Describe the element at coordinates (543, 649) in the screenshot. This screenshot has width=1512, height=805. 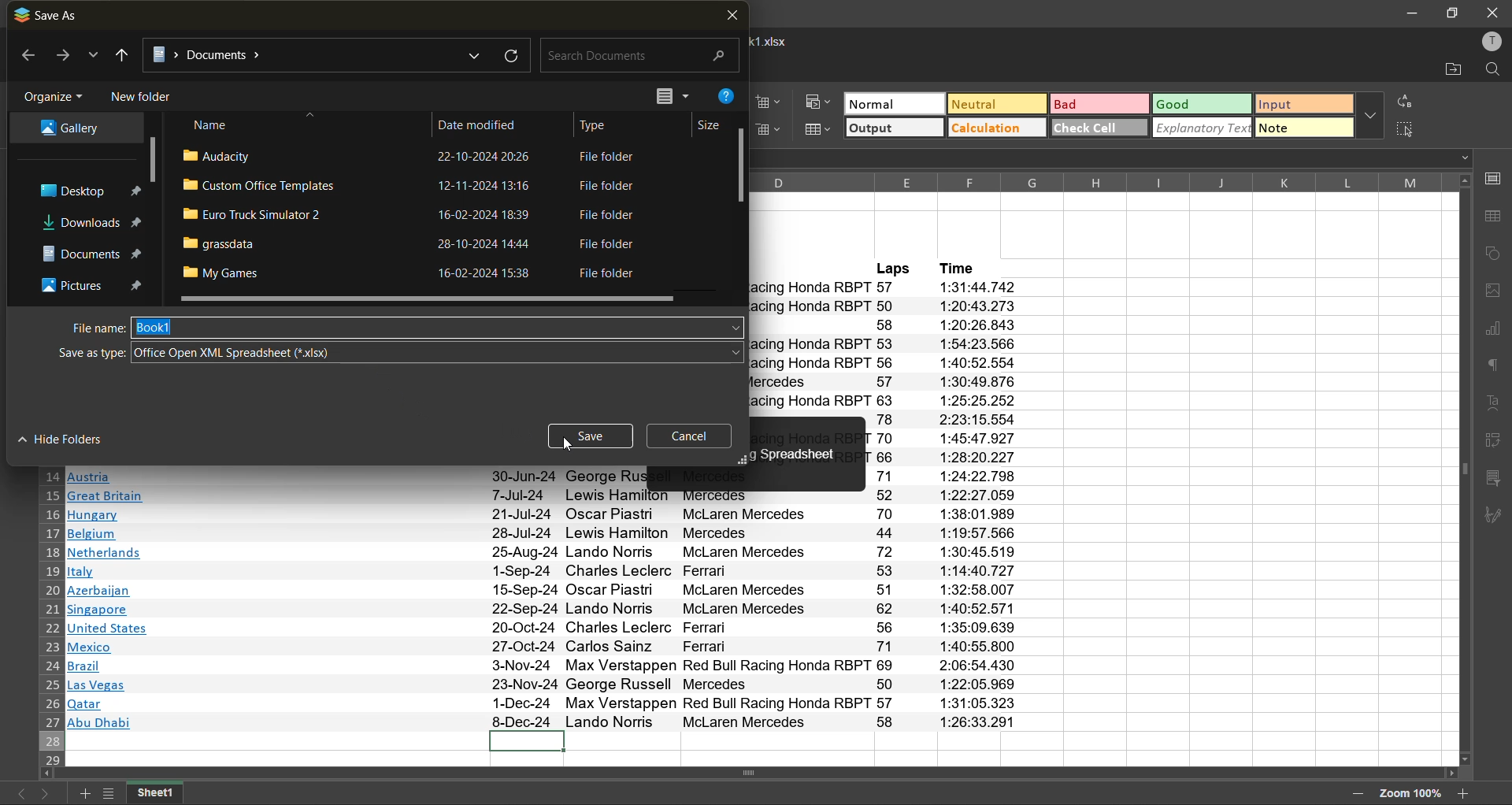
I see `Mexico 27-Oct-24 Carlos Sainz Ferrari 71 1:40:55.800` at that location.